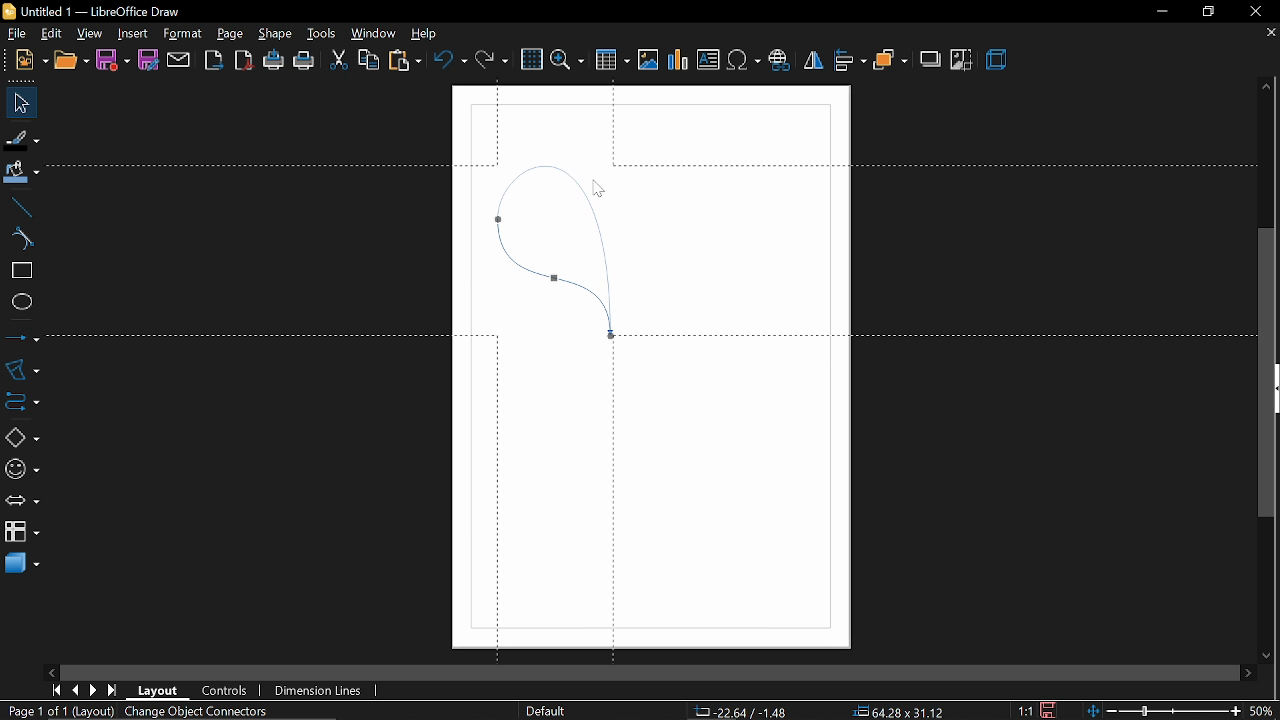 This screenshot has width=1280, height=720. I want to click on close current tab, so click(1270, 37).